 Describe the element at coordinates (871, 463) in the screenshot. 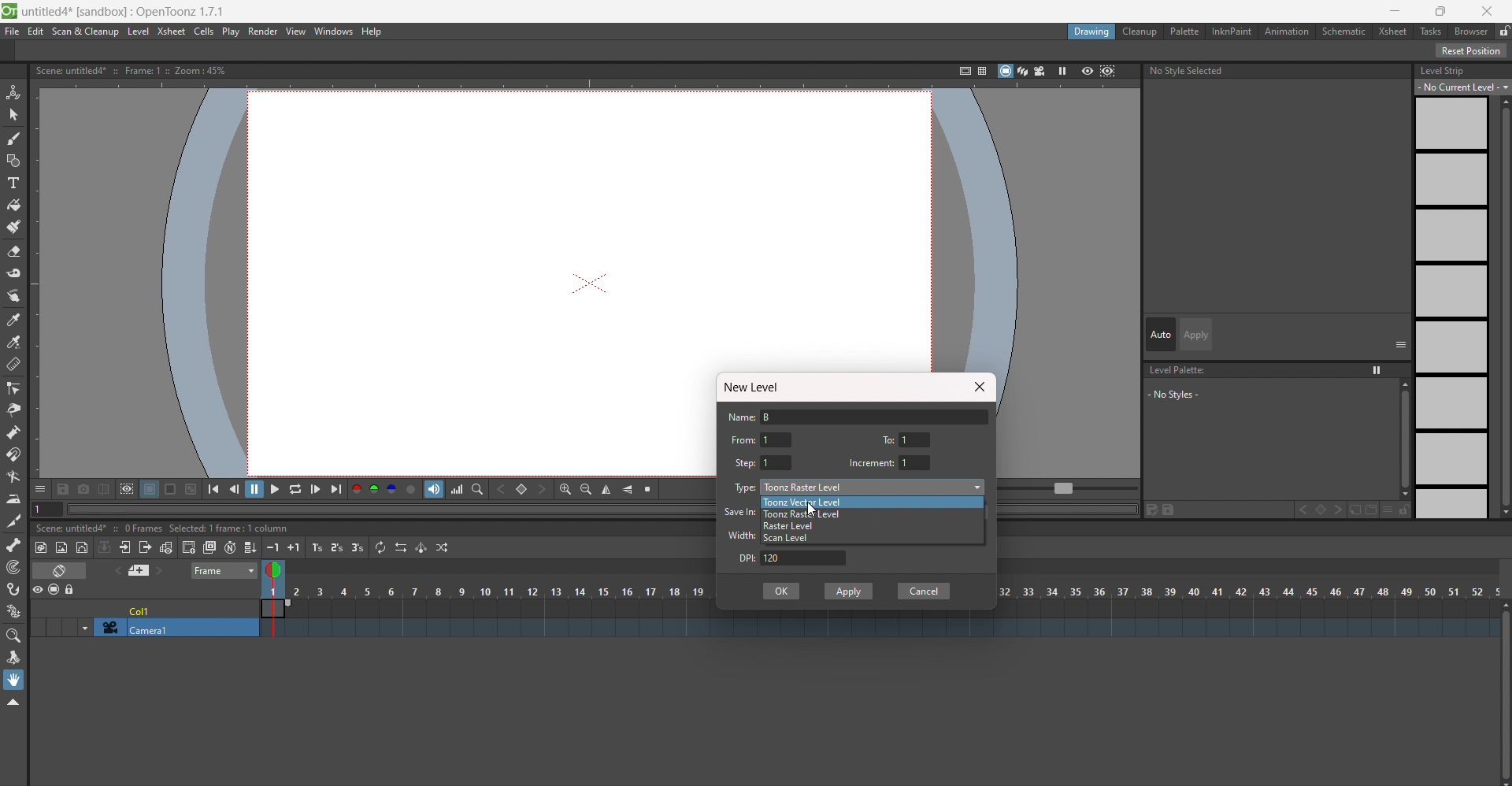

I see `increment` at that location.